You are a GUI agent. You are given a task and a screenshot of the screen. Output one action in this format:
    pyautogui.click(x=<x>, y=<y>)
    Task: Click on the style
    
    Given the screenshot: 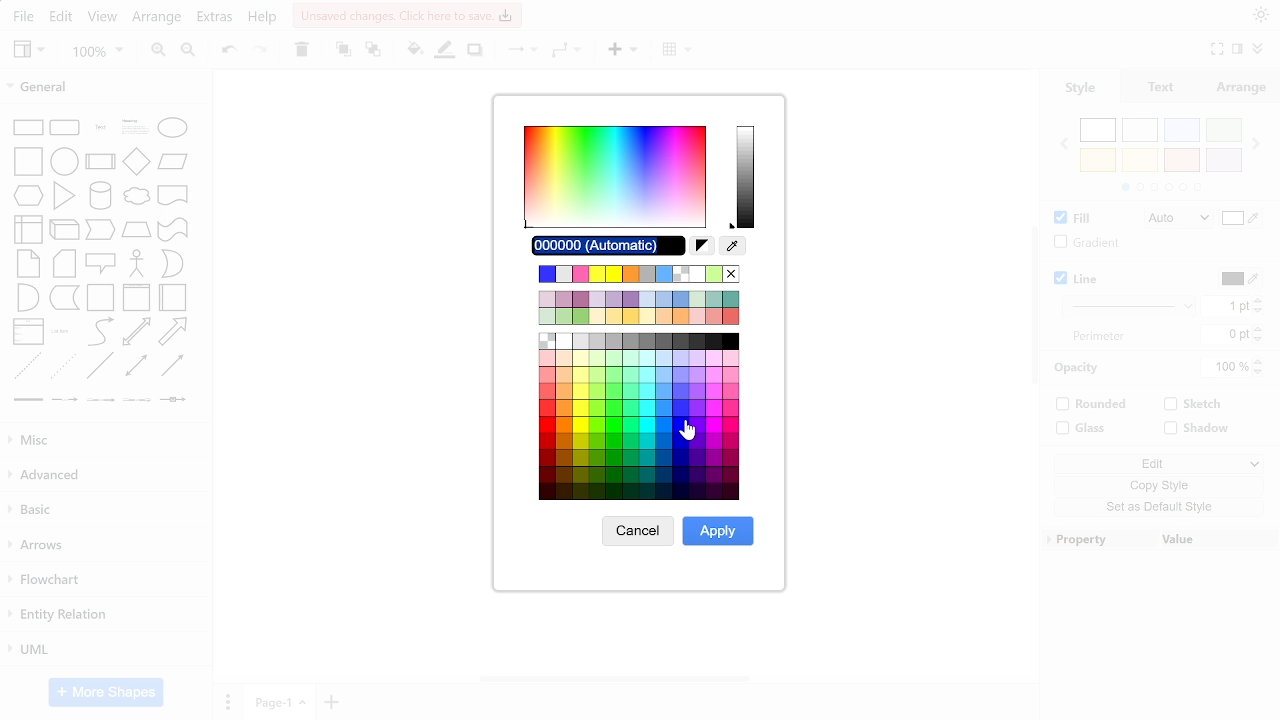 What is the action you would take?
    pyautogui.click(x=1080, y=88)
    